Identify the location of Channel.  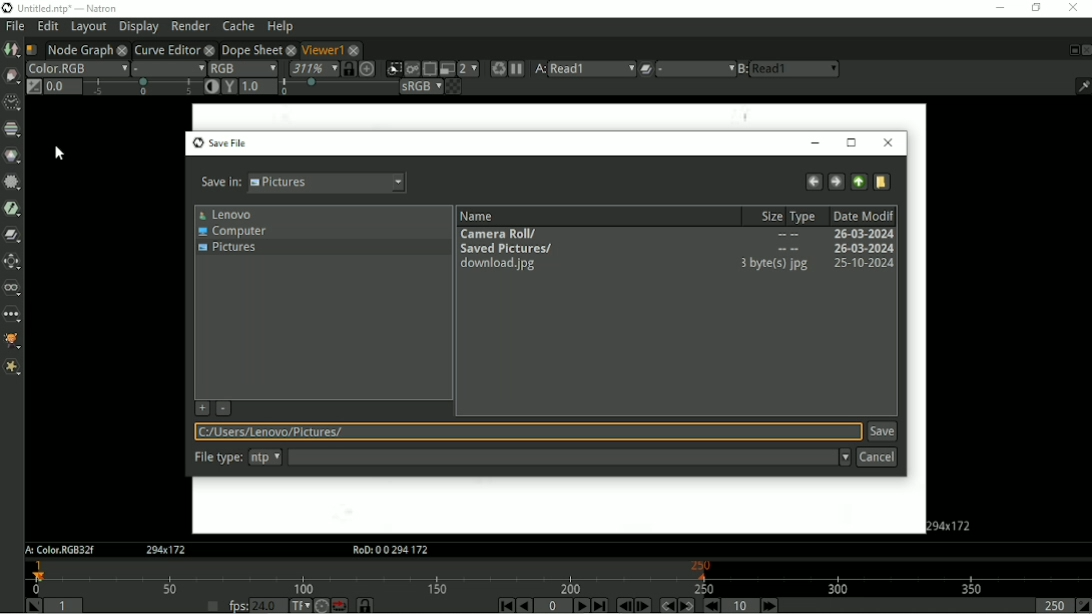
(13, 130).